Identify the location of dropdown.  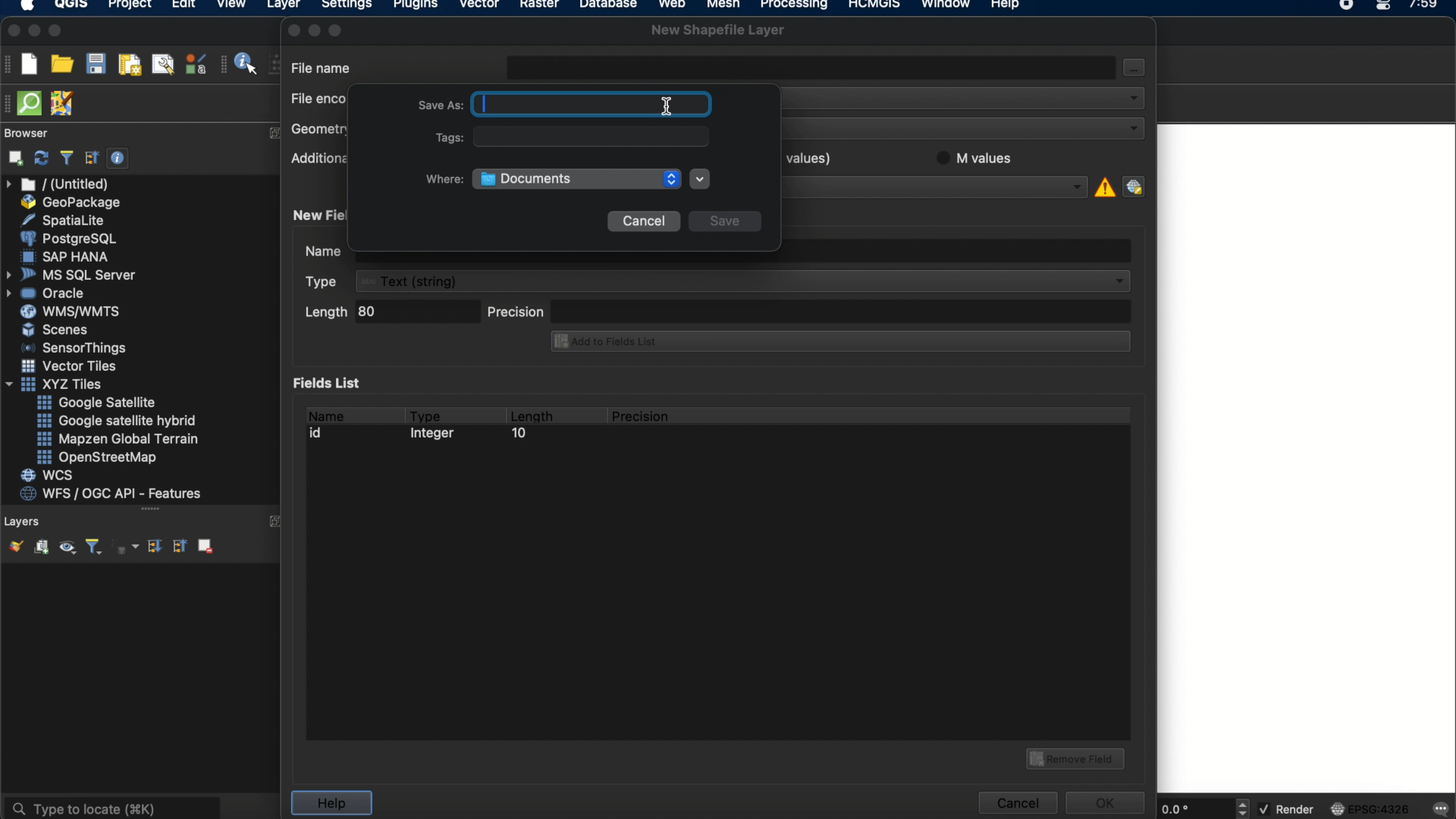
(1077, 187).